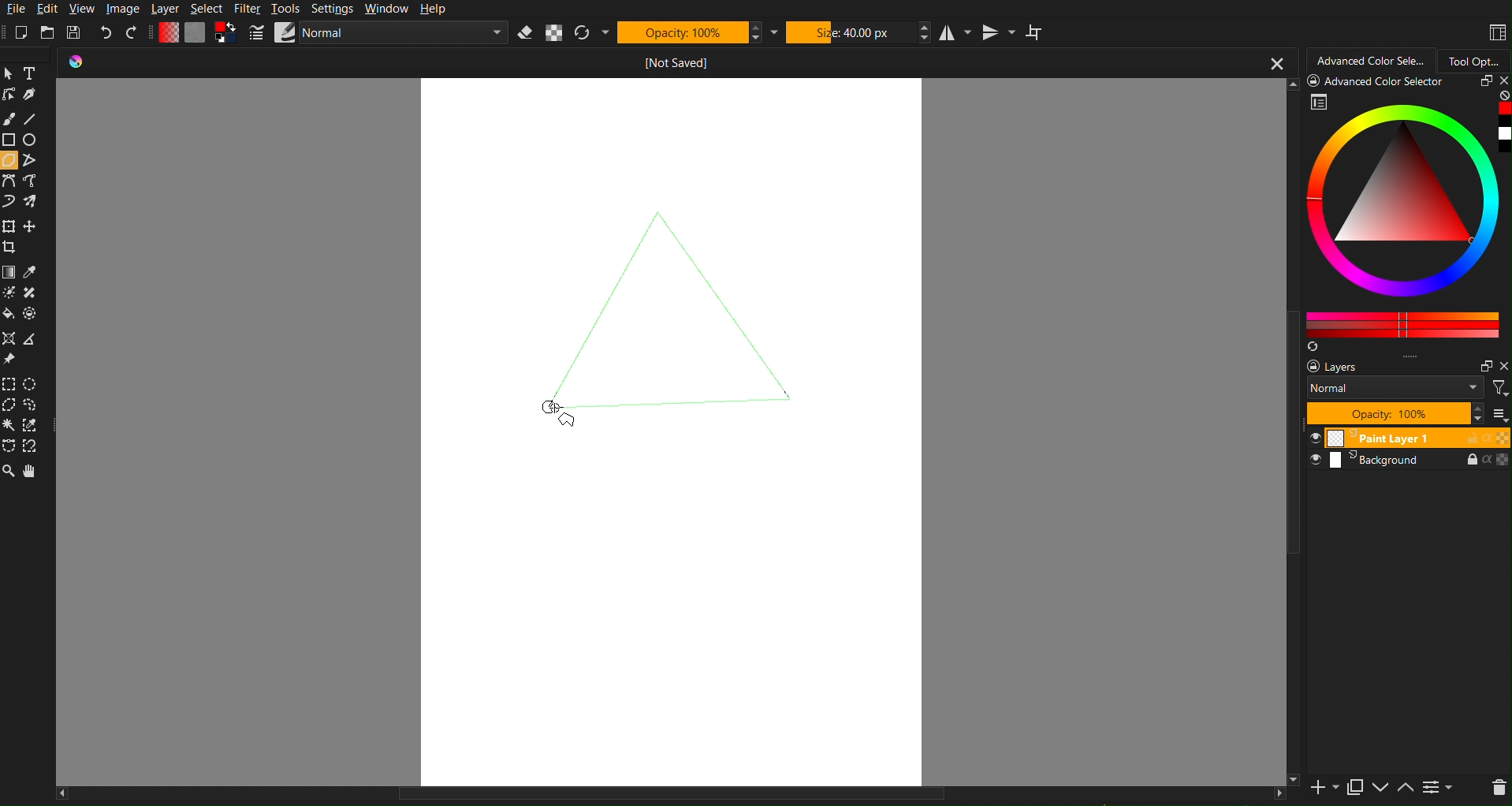  Describe the element at coordinates (583, 33) in the screenshot. I see `Refresh` at that location.